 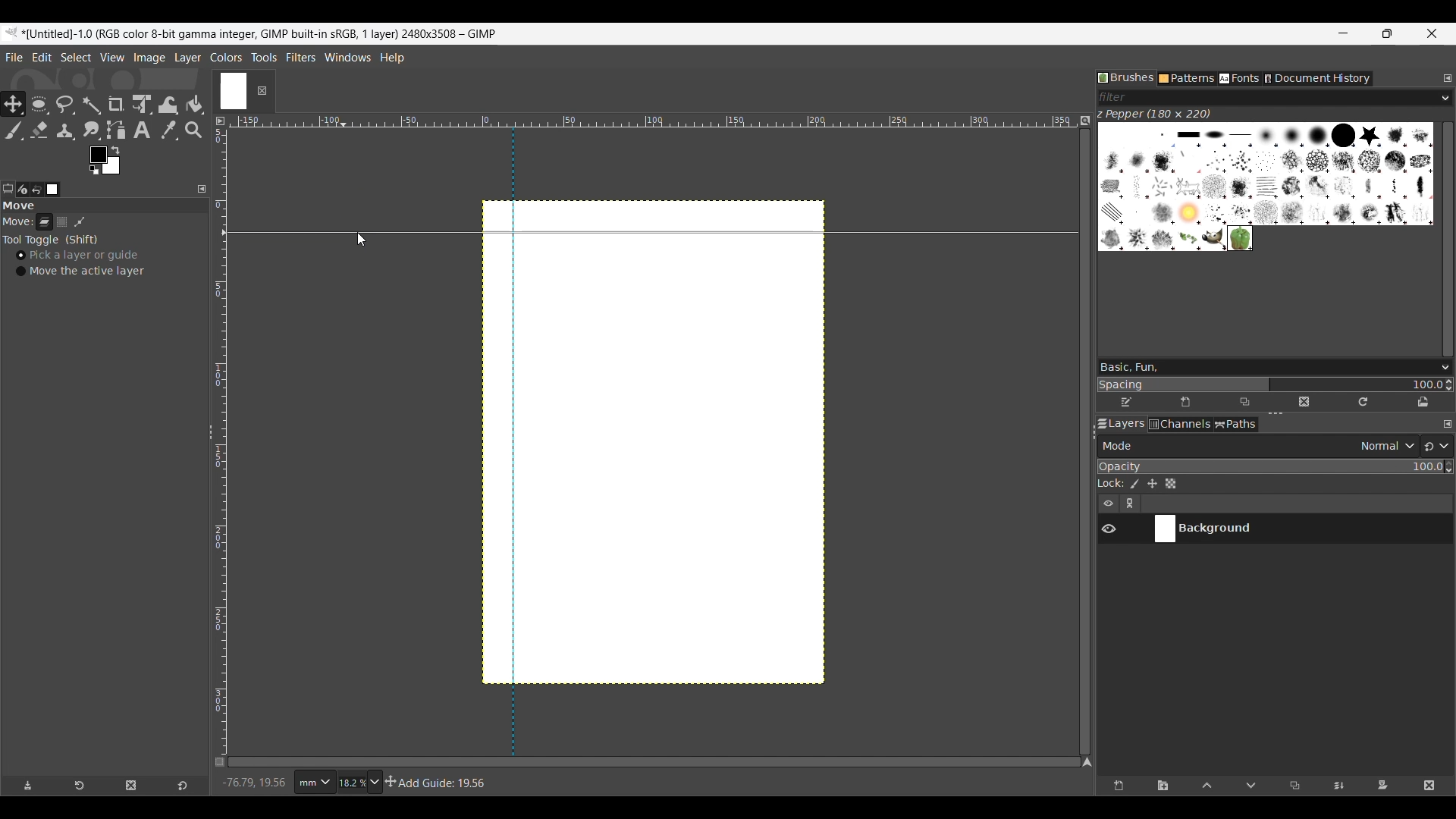 I want to click on Fuzzy select tool, so click(x=91, y=105).